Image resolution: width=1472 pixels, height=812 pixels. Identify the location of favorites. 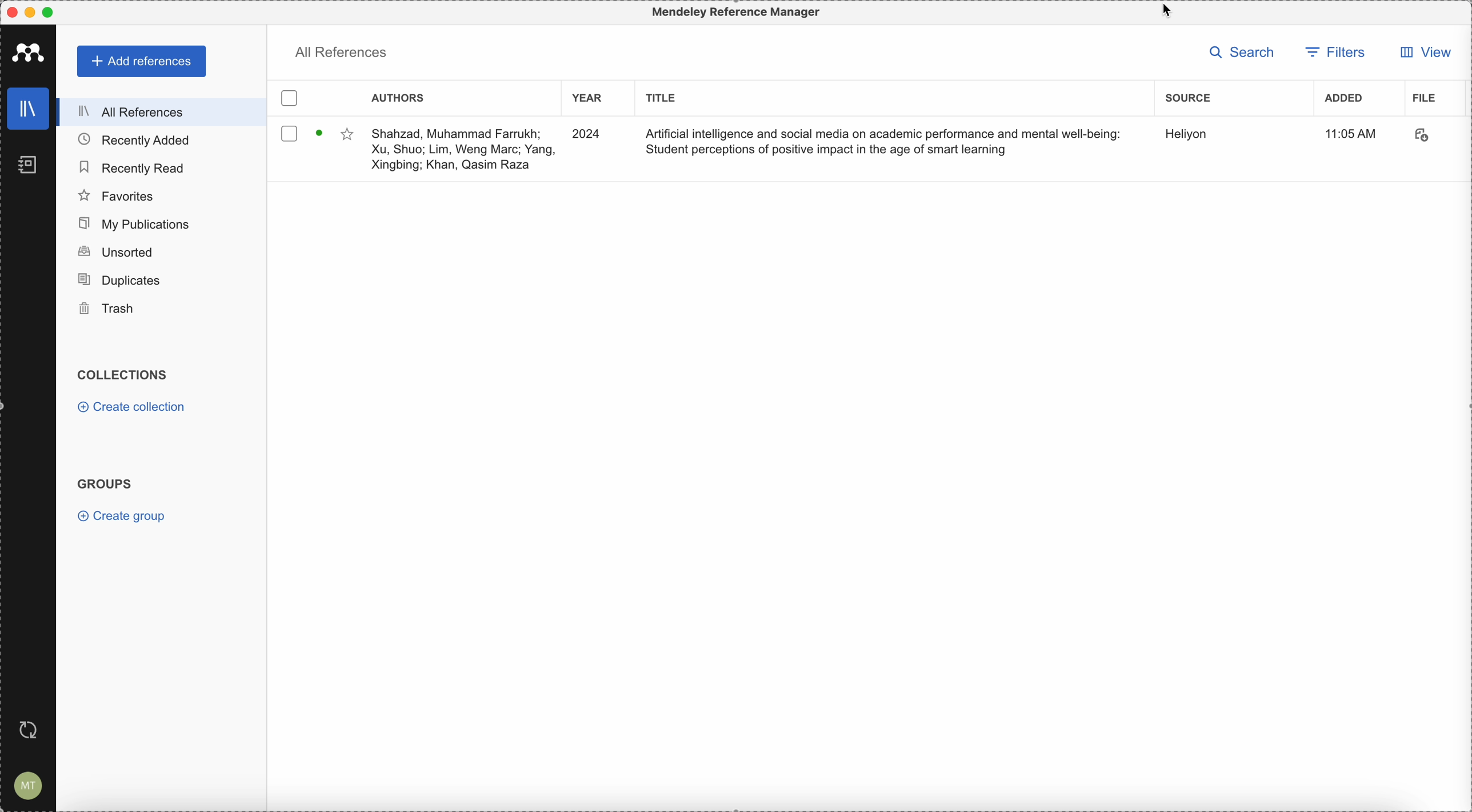
(117, 196).